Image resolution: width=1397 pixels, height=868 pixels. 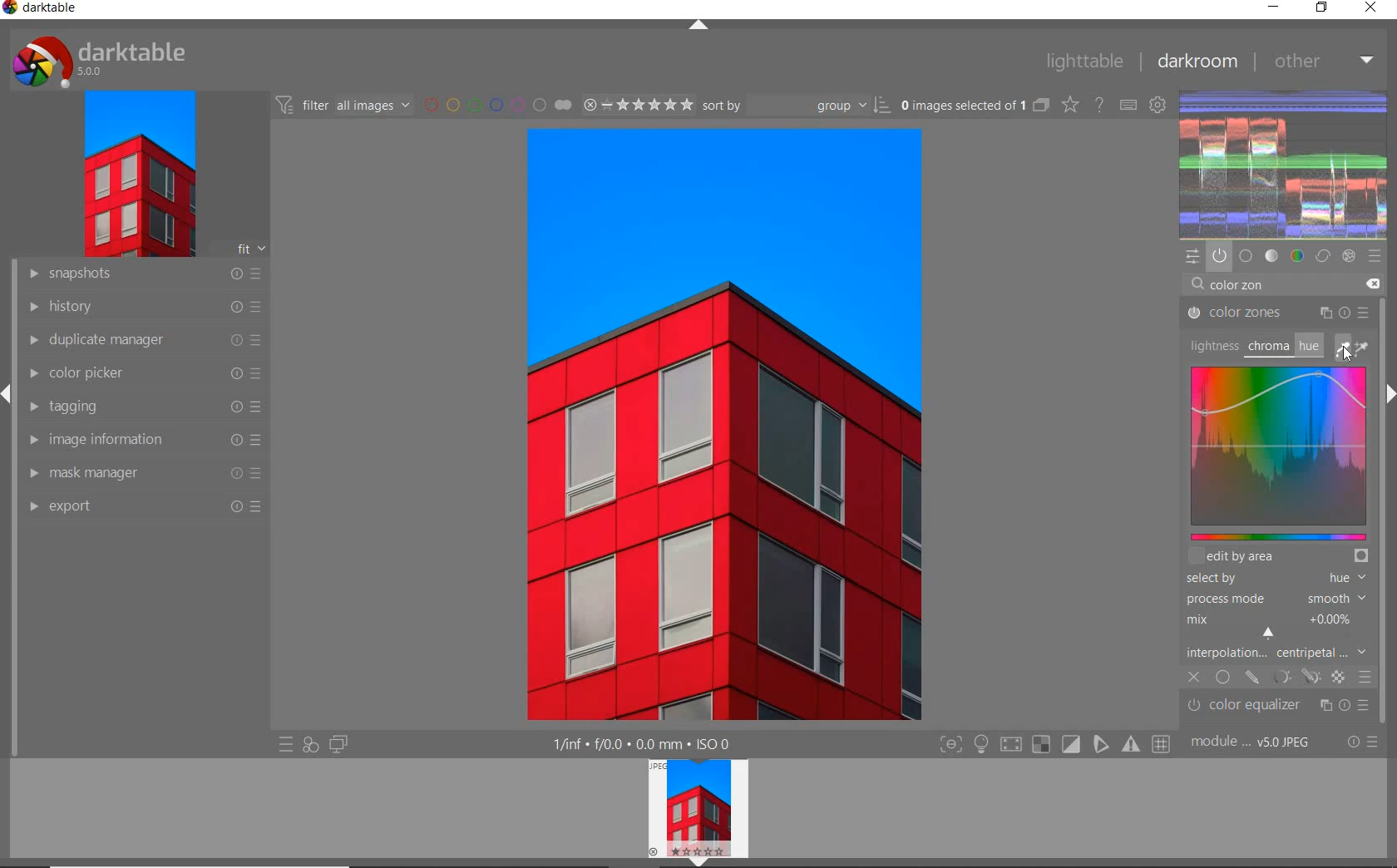 What do you see at coordinates (983, 747) in the screenshot?
I see `highlight` at bounding box center [983, 747].